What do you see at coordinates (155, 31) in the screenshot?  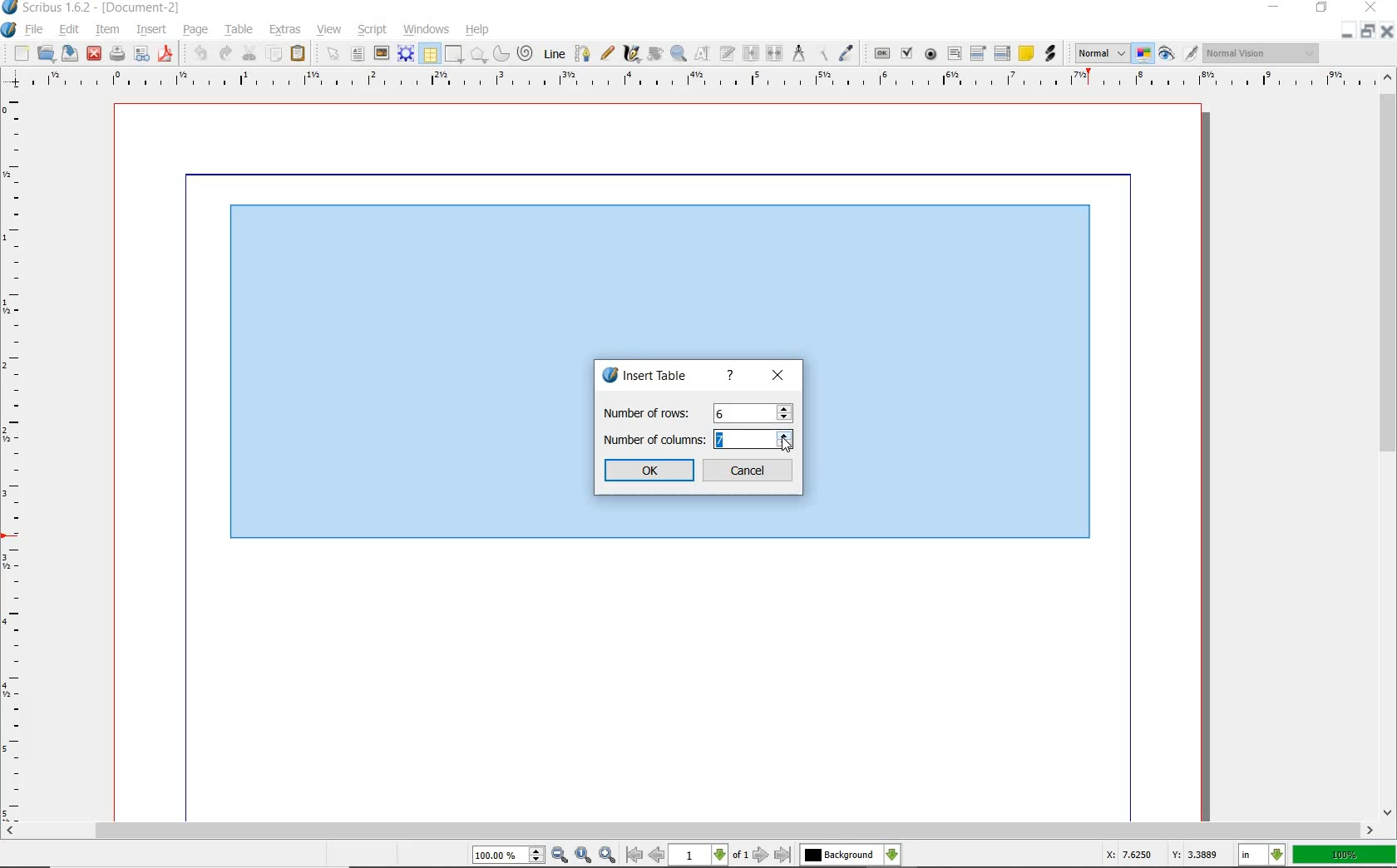 I see `insert` at bounding box center [155, 31].